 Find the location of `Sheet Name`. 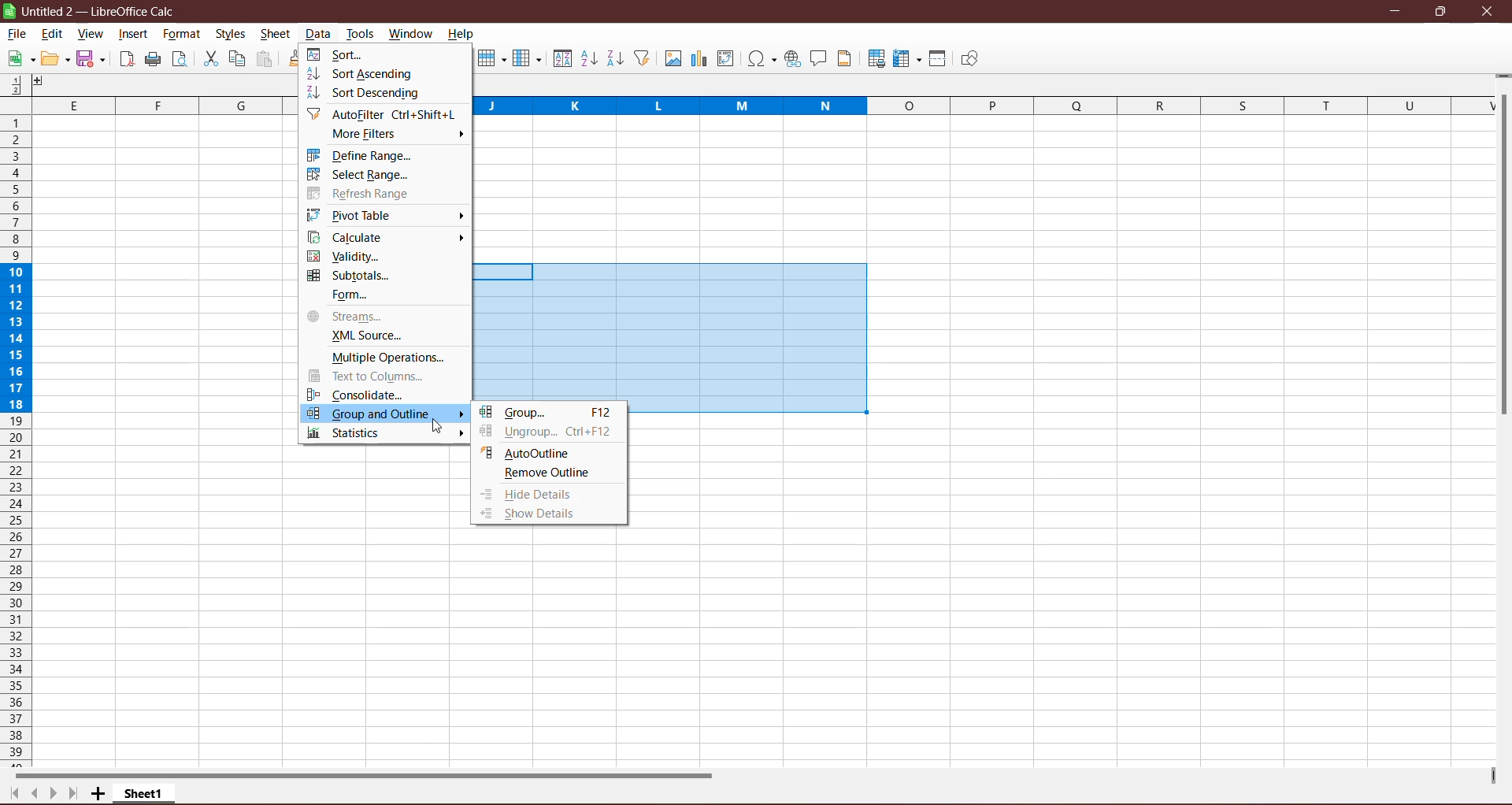

Sheet Name is located at coordinates (146, 793).